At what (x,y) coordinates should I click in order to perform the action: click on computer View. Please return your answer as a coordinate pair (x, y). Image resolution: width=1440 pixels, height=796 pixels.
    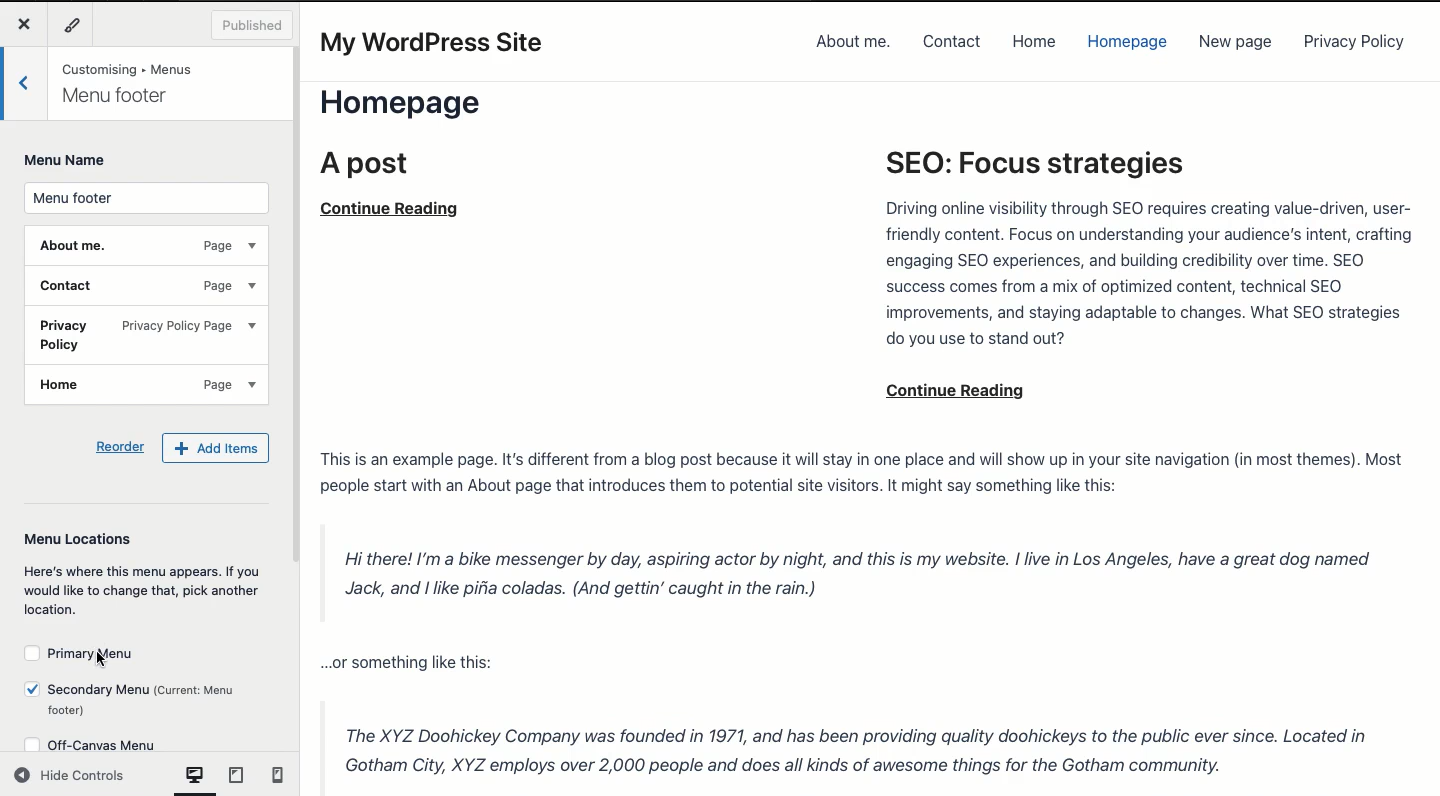
    Looking at the image, I should click on (193, 779).